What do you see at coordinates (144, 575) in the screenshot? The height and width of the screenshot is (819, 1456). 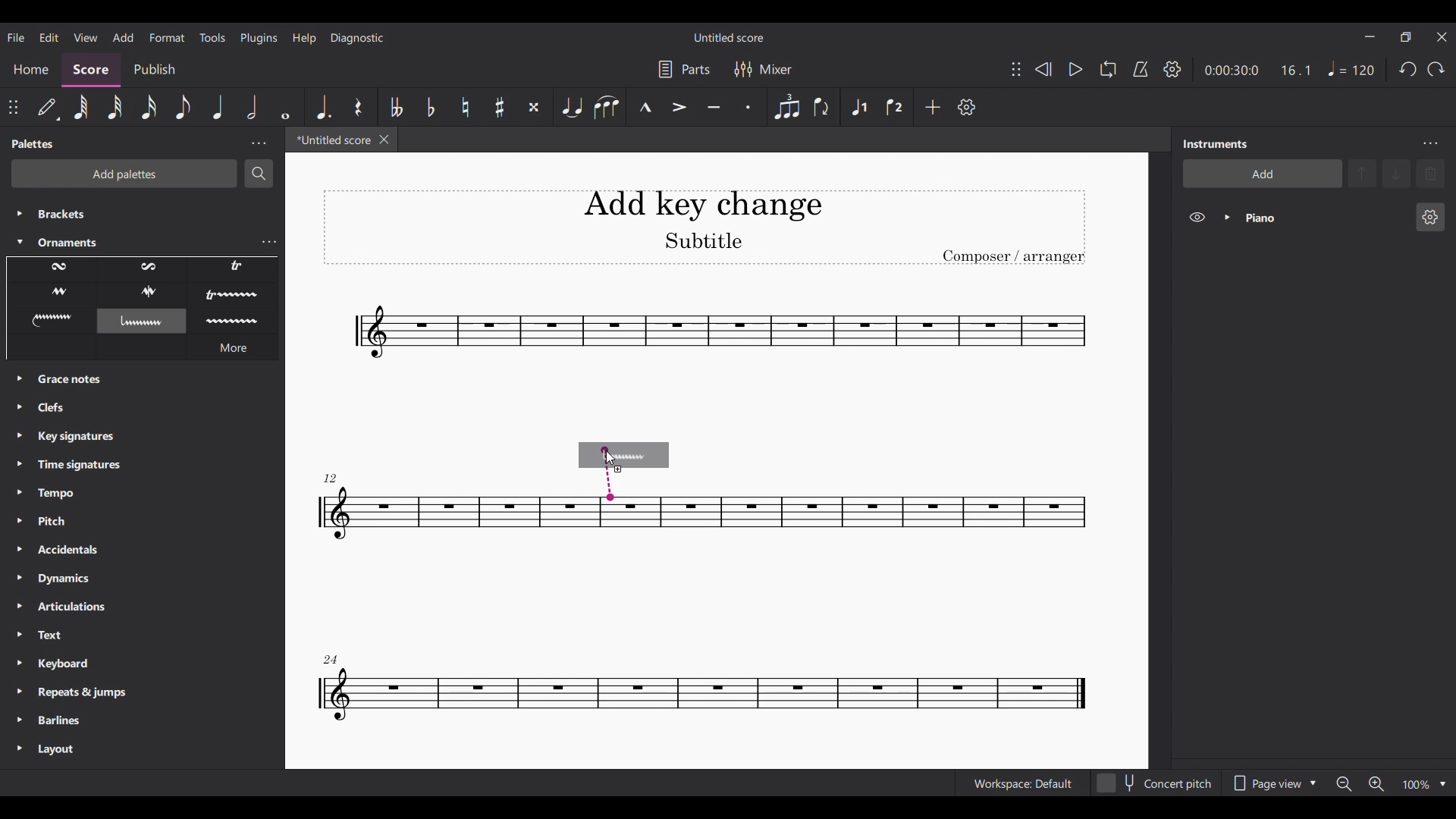 I see `Other palette options` at bounding box center [144, 575].